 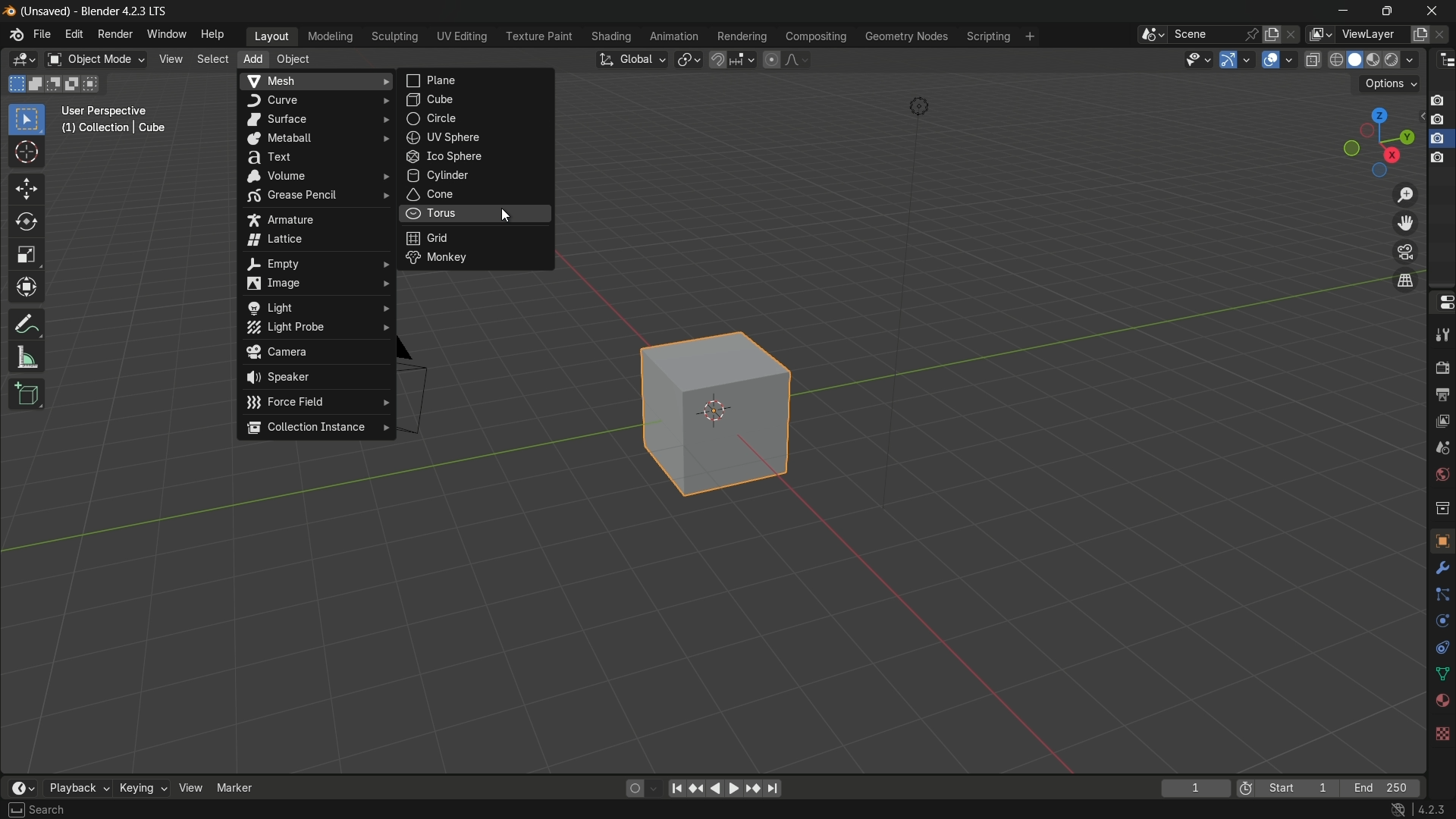 I want to click on cube, so click(x=479, y=100).